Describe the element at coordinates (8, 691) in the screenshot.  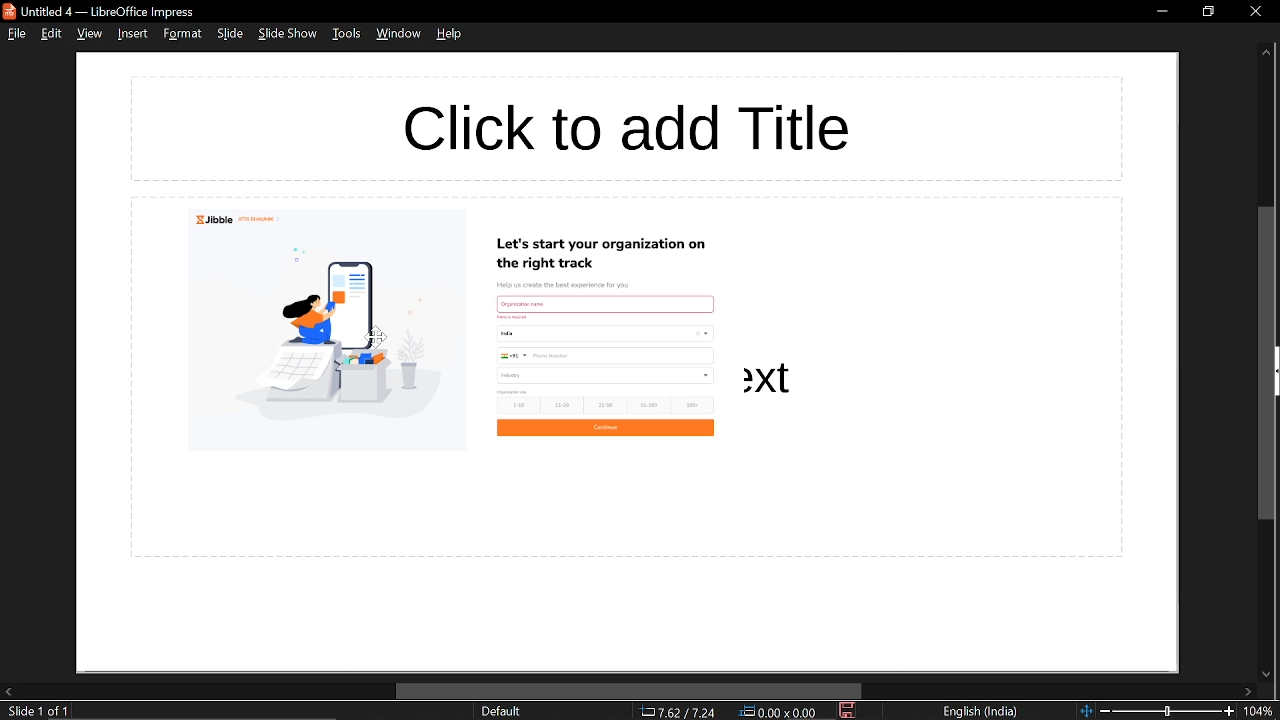
I see `move left` at that location.